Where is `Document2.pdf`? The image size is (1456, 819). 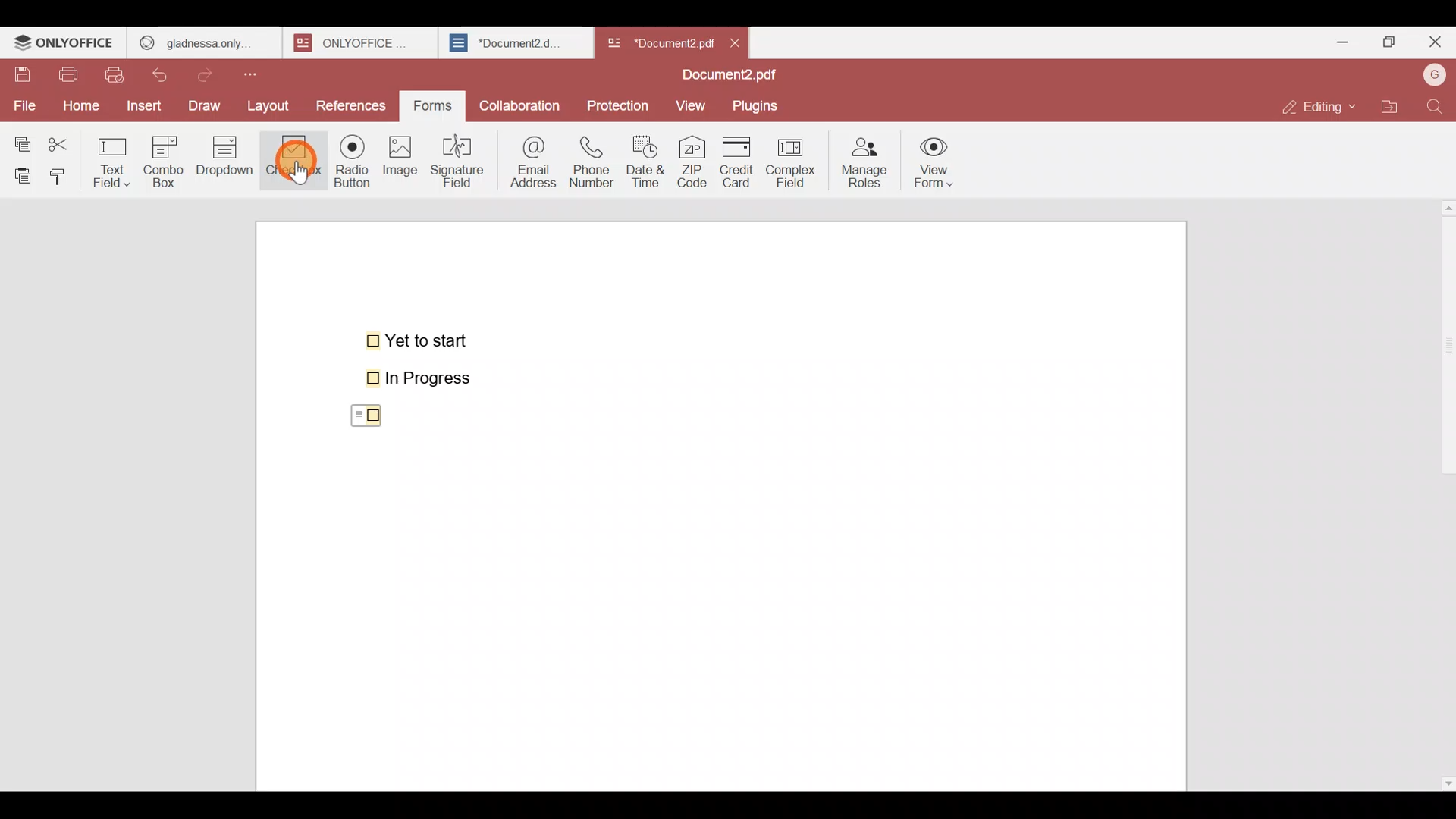
Document2.pdf is located at coordinates (725, 77).